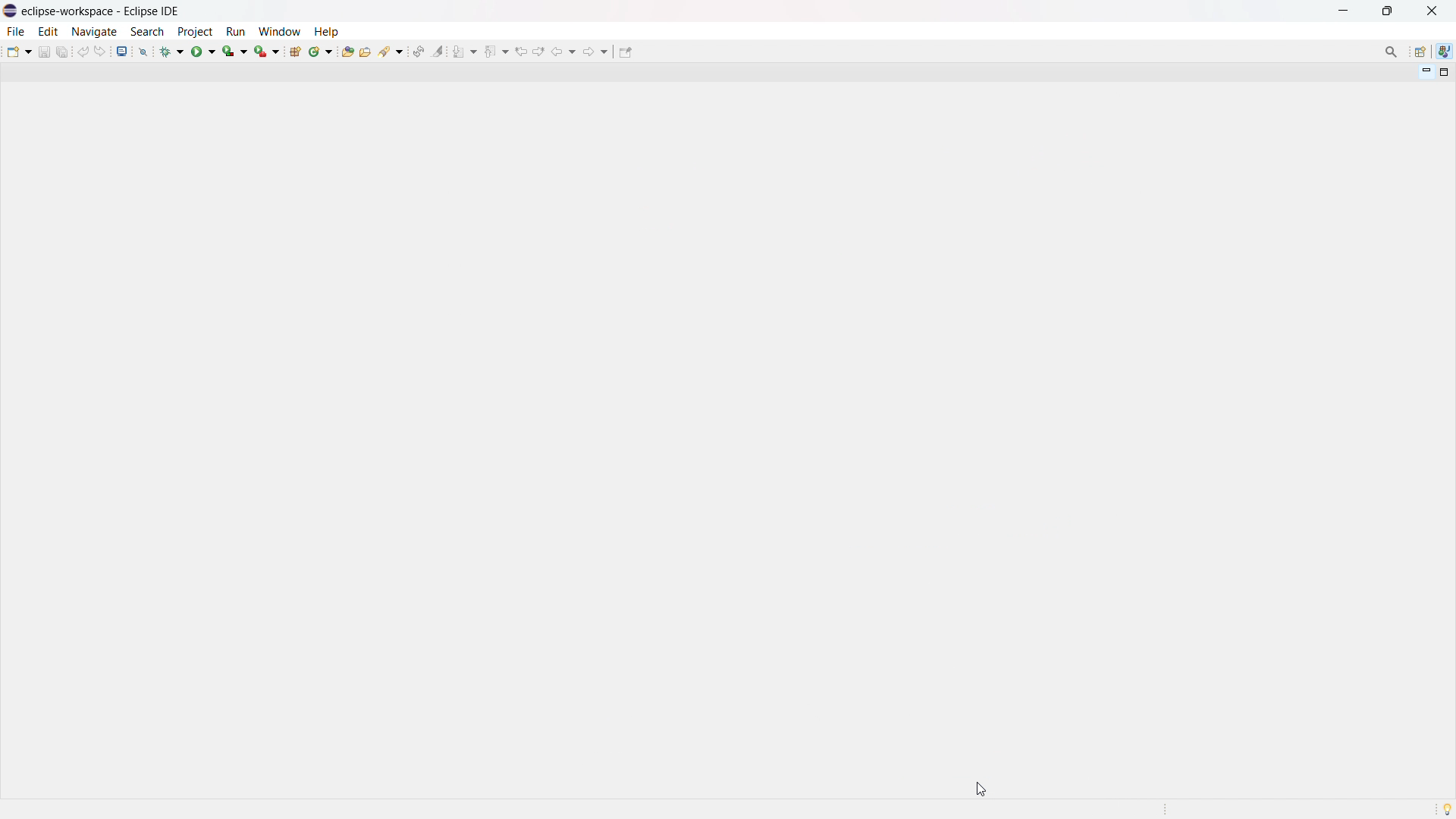  Describe the element at coordinates (1387, 11) in the screenshot. I see `maximize` at that location.